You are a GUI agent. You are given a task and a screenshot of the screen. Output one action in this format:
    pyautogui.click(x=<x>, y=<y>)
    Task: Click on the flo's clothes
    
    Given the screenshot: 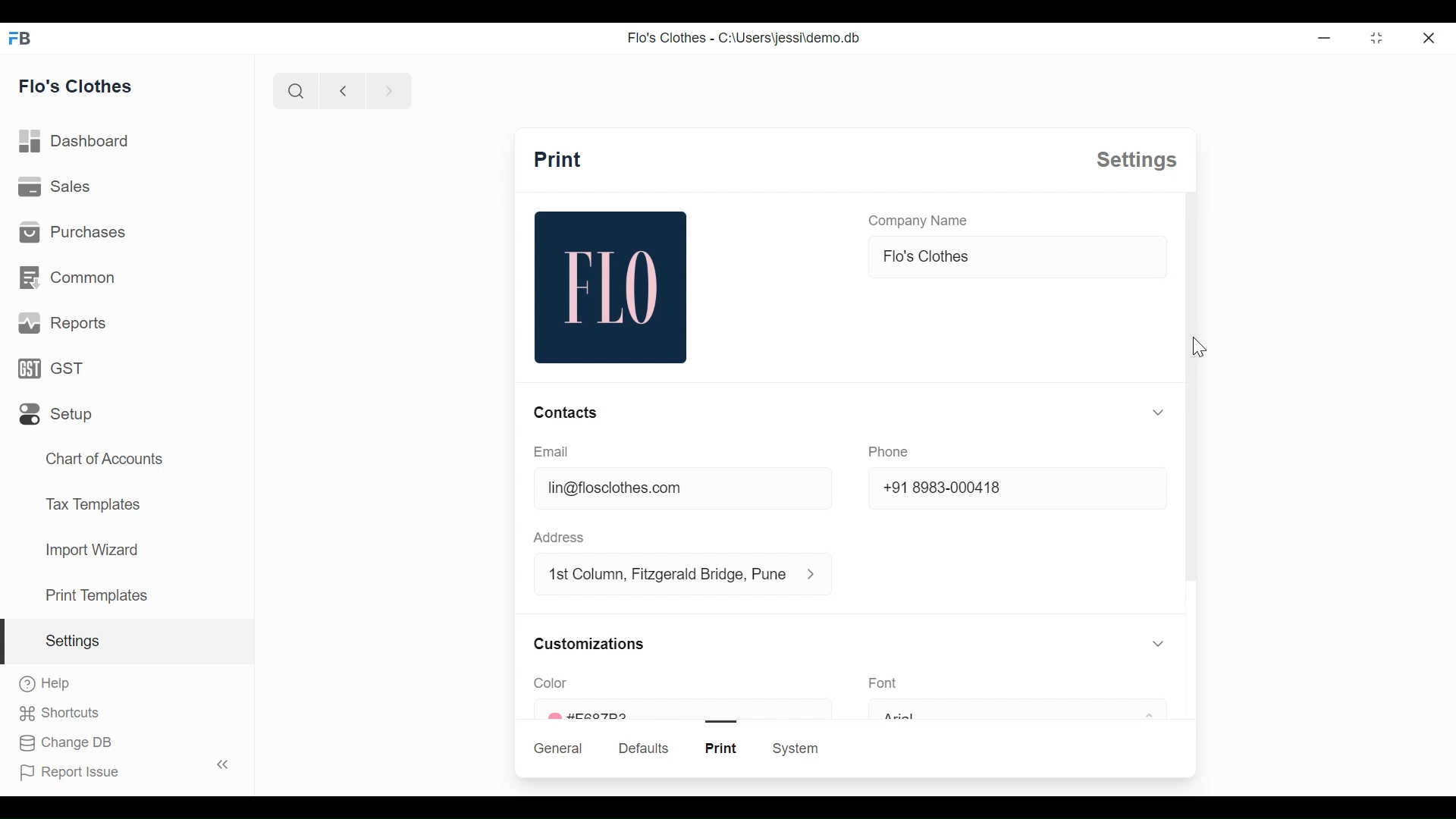 What is the action you would take?
    pyautogui.click(x=1021, y=258)
    